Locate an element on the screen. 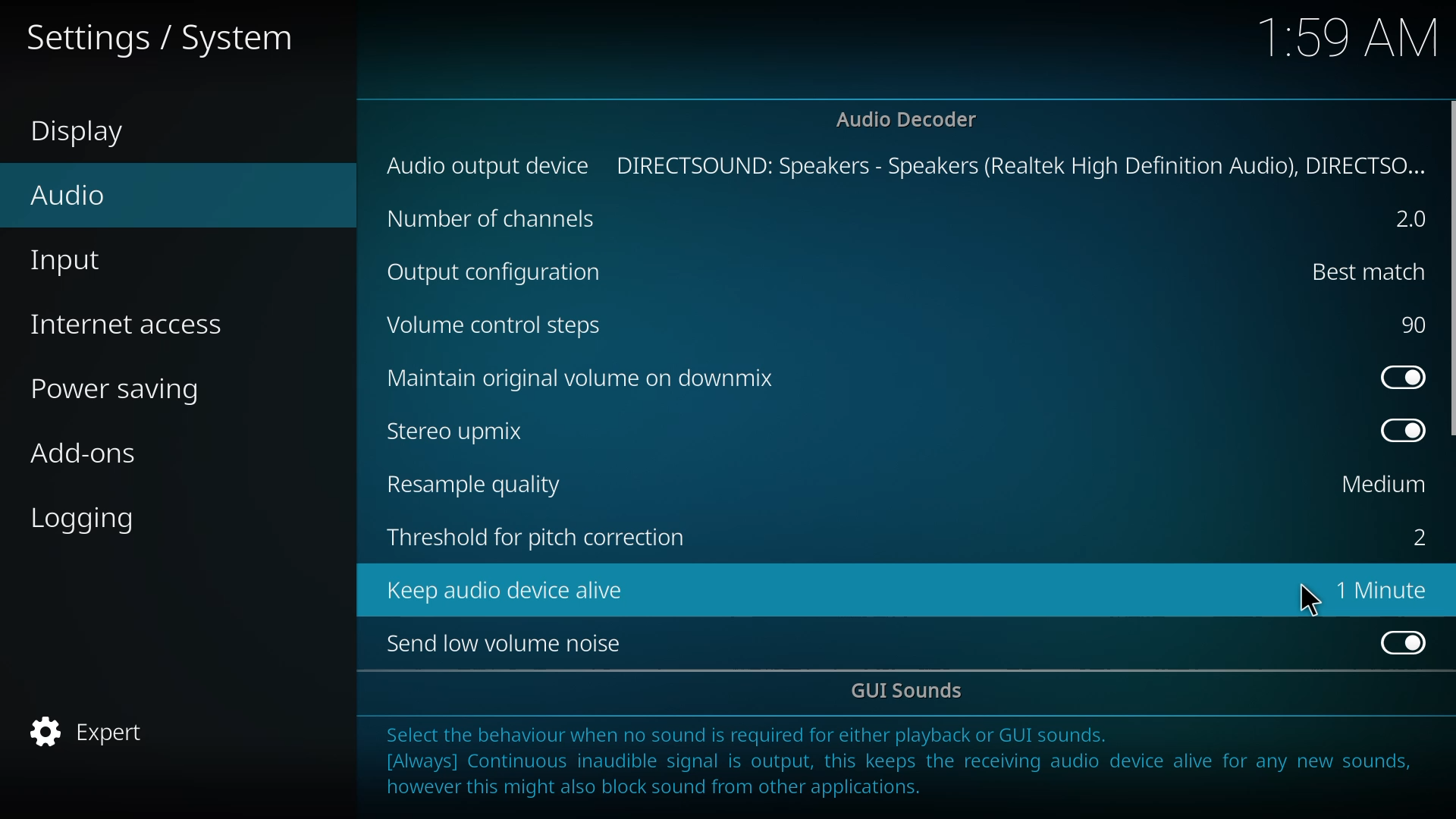 The height and width of the screenshot is (819, 1456). medium is located at coordinates (1380, 485).